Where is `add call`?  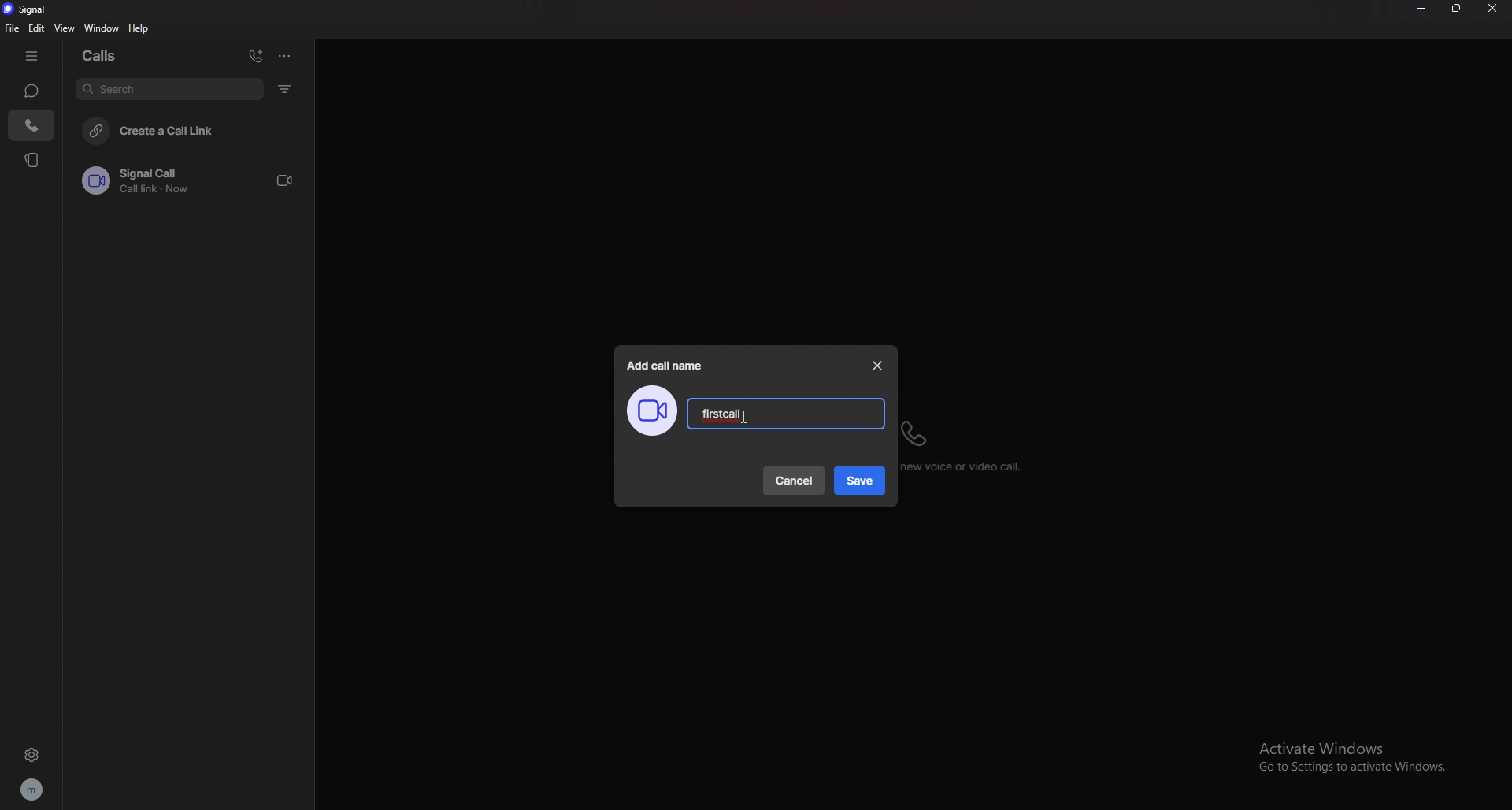 add call is located at coordinates (256, 56).